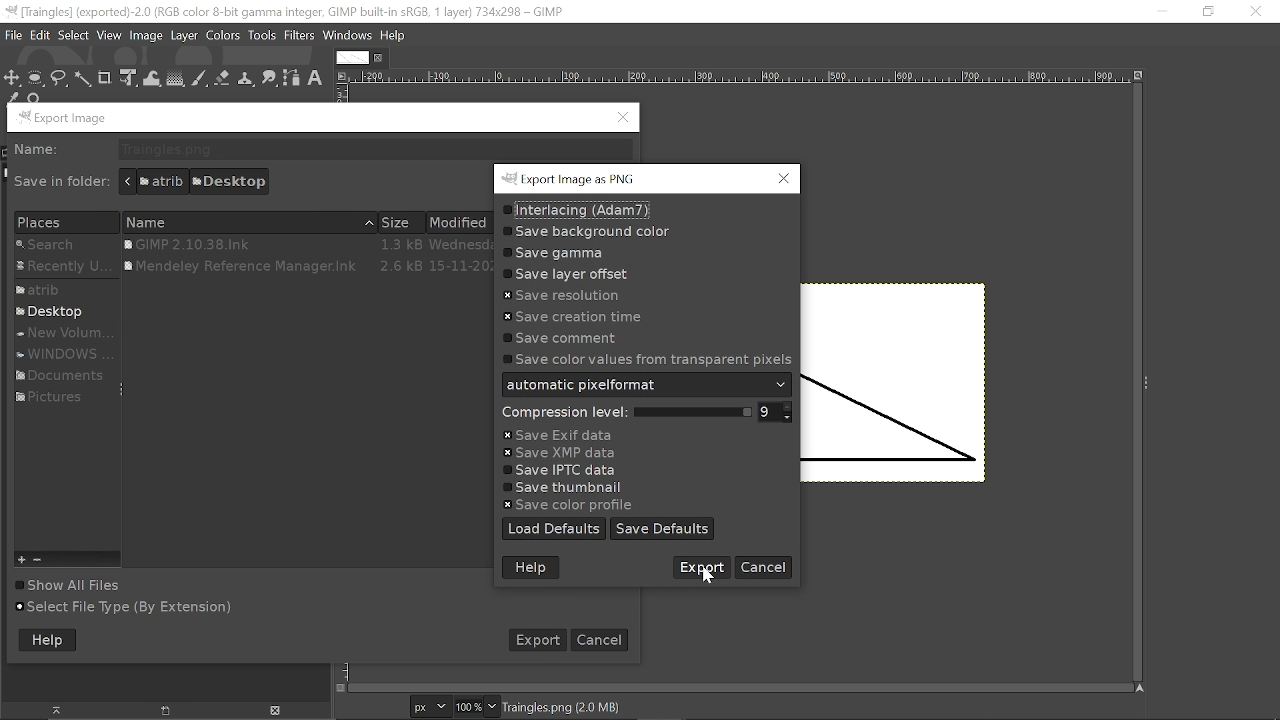 The width and height of the screenshot is (1280, 720). I want to click on Modified, so click(463, 223).